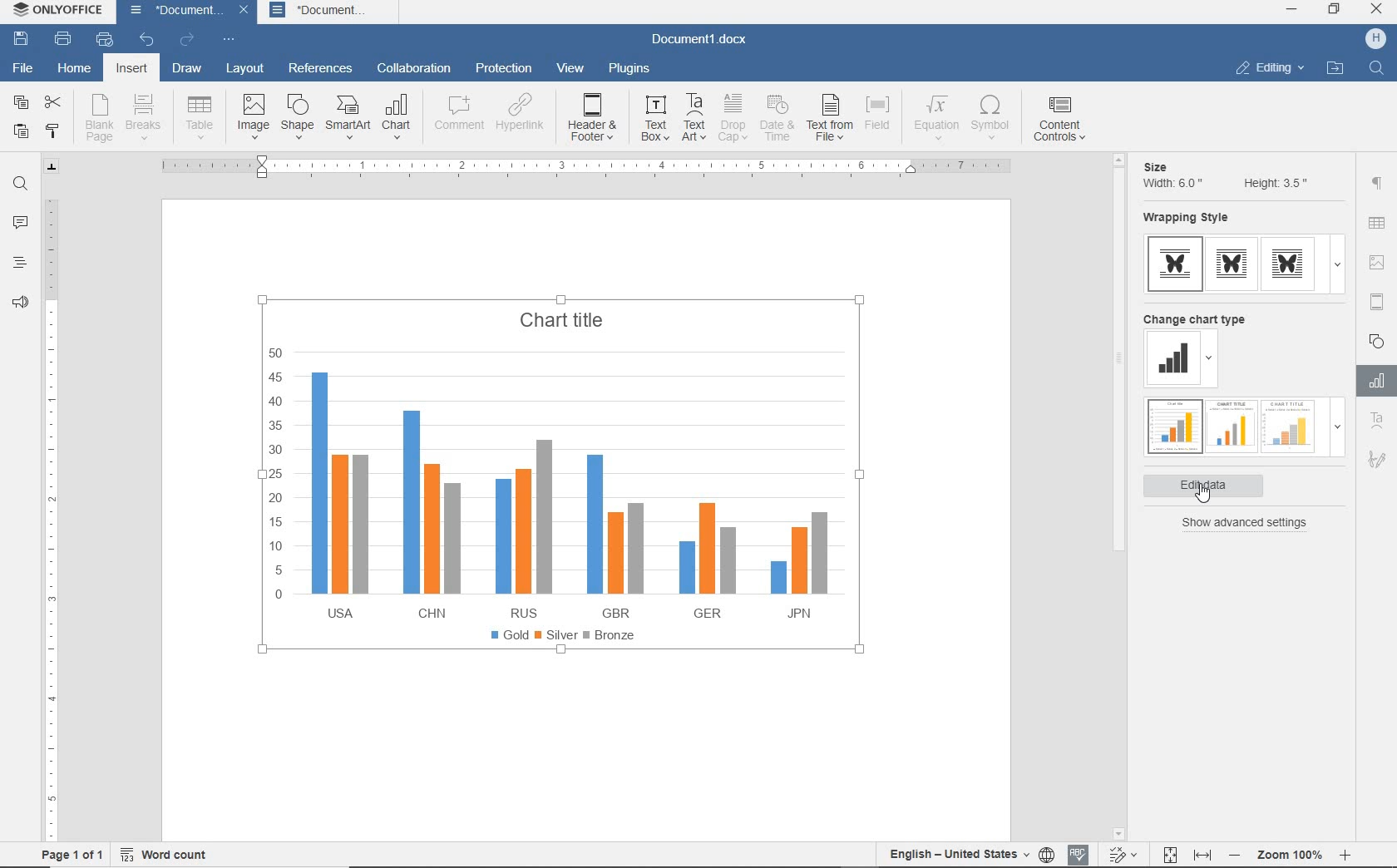  What do you see at coordinates (1176, 264) in the screenshot?
I see `type 1` at bounding box center [1176, 264].